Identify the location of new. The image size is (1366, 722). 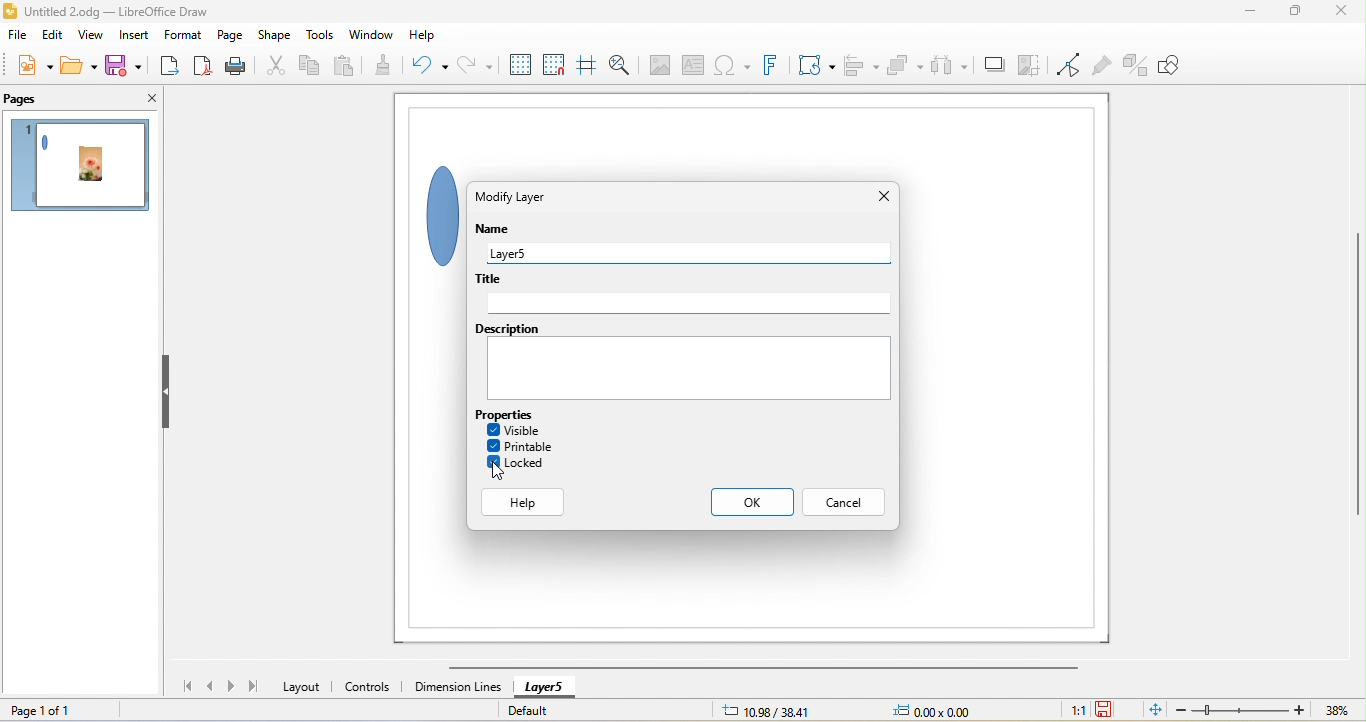
(35, 68).